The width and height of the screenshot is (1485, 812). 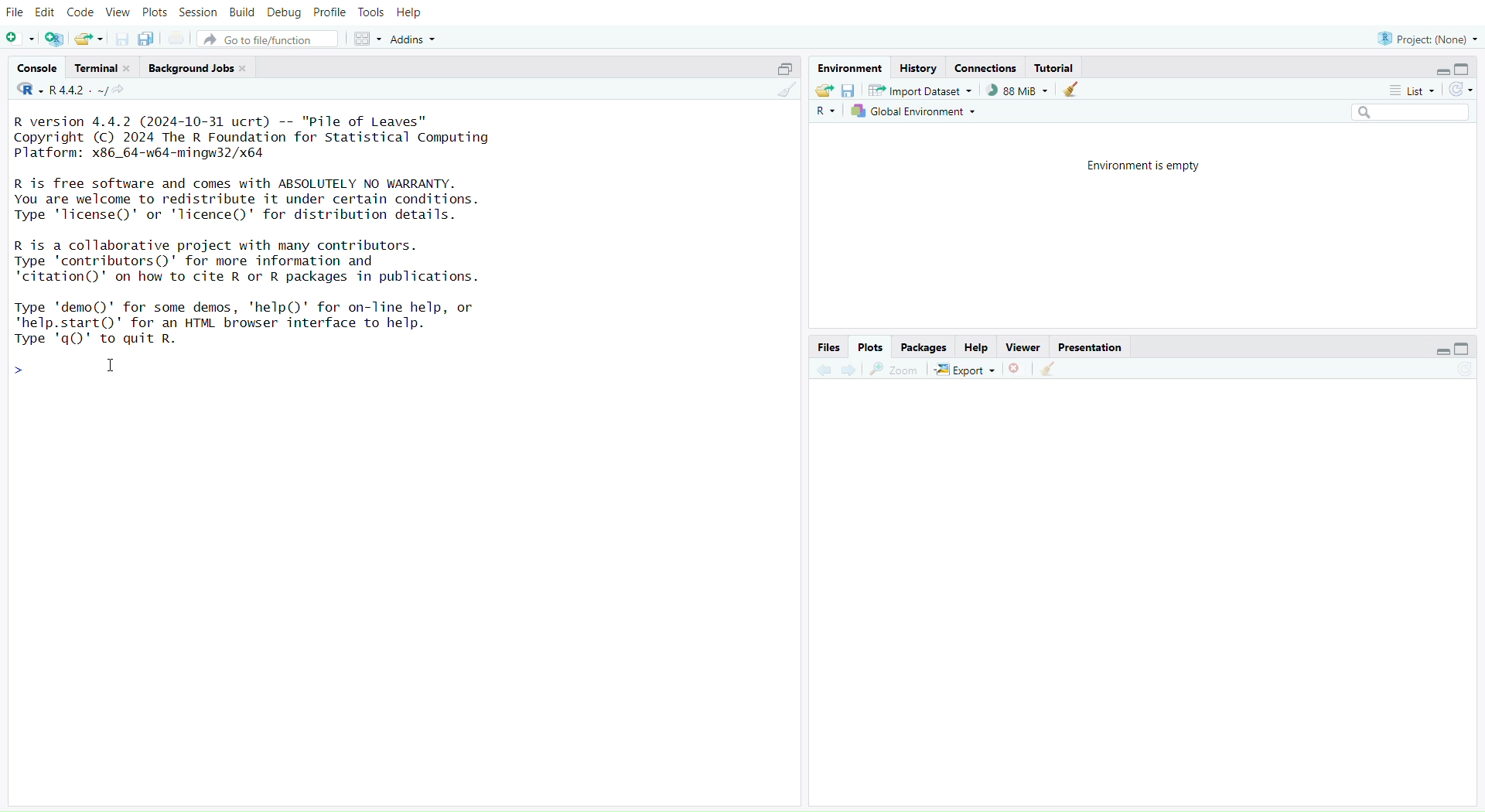 I want to click on 88mib, so click(x=1019, y=90).